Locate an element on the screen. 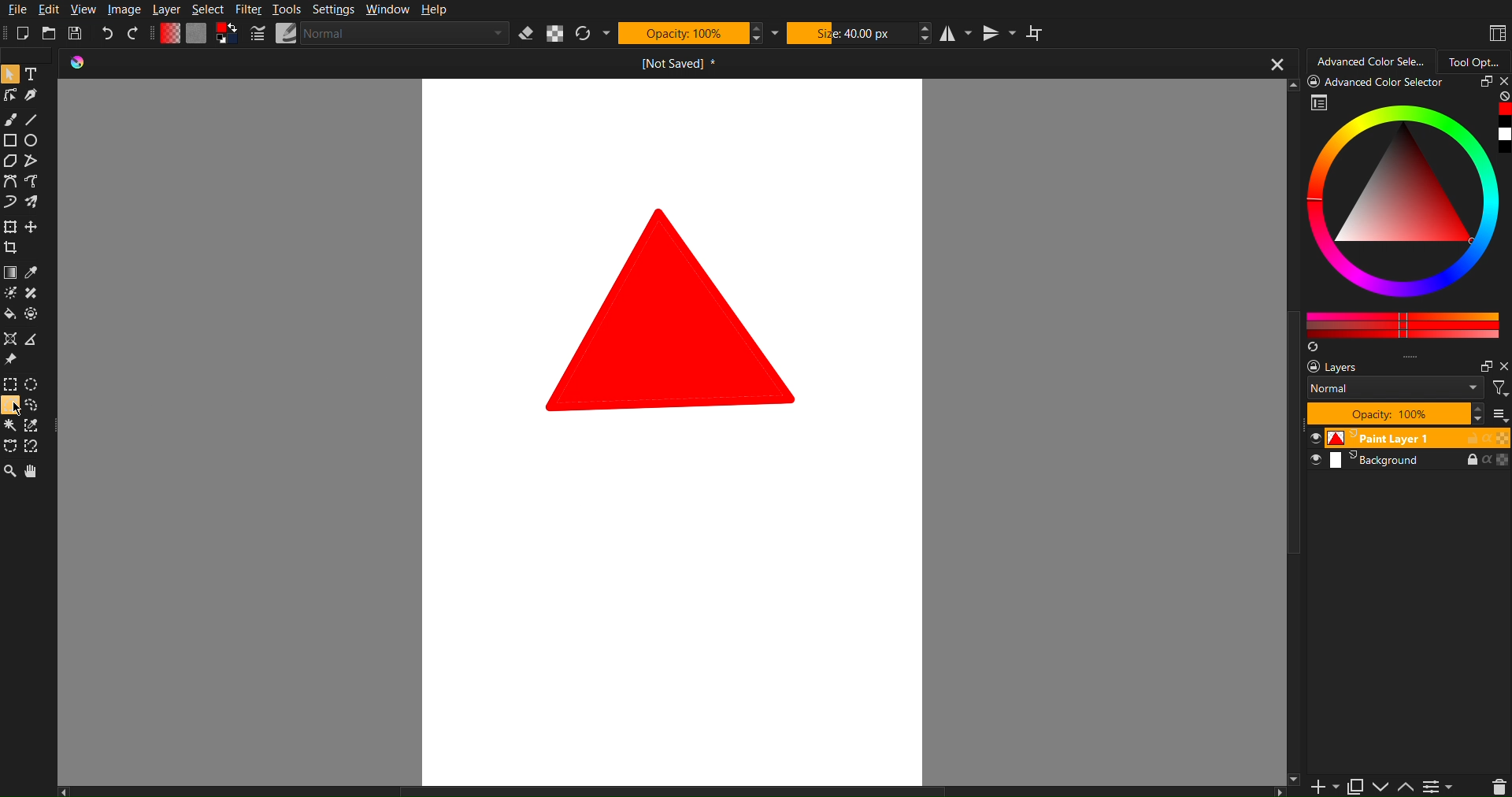 The width and height of the screenshot is (1512, 797). Filter is located at coordinates (249, 10).